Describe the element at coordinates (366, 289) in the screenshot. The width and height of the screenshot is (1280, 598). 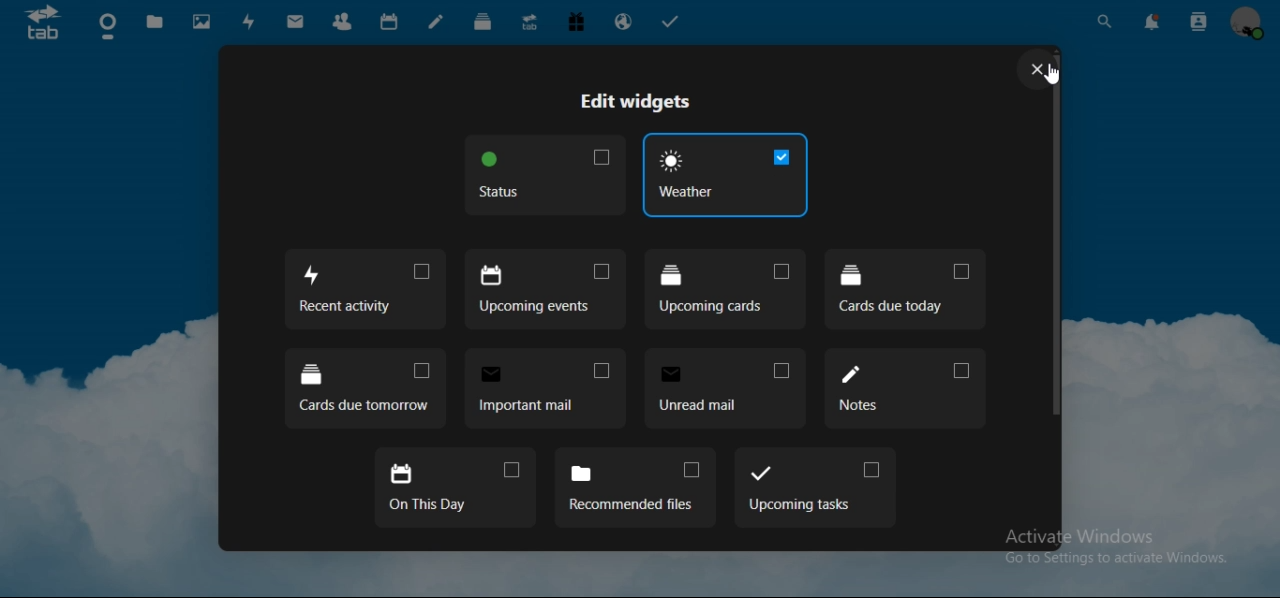
I see `recent activity` at that location.